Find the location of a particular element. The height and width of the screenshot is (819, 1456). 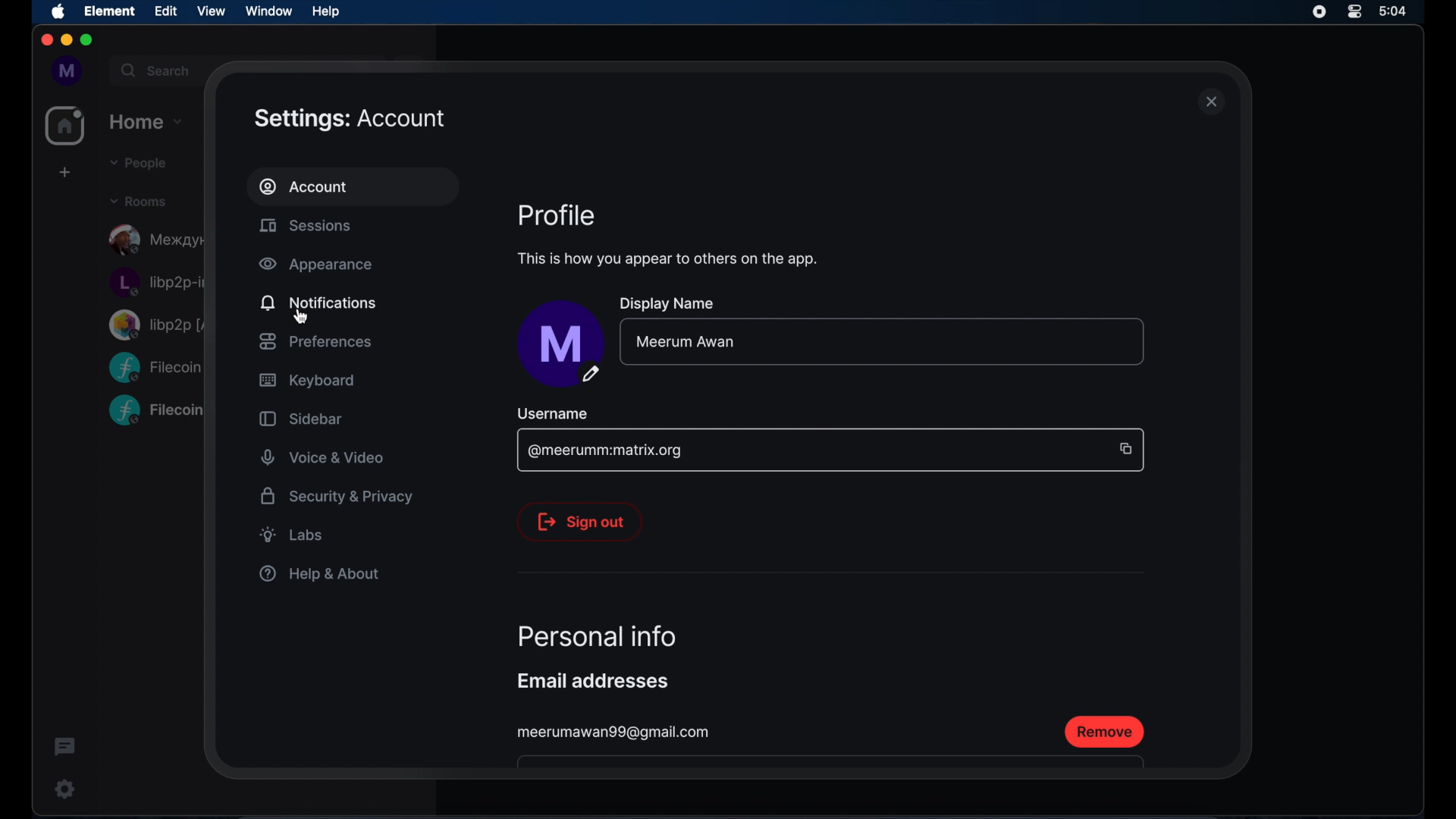

rooms is located at coordinates (138, 200).